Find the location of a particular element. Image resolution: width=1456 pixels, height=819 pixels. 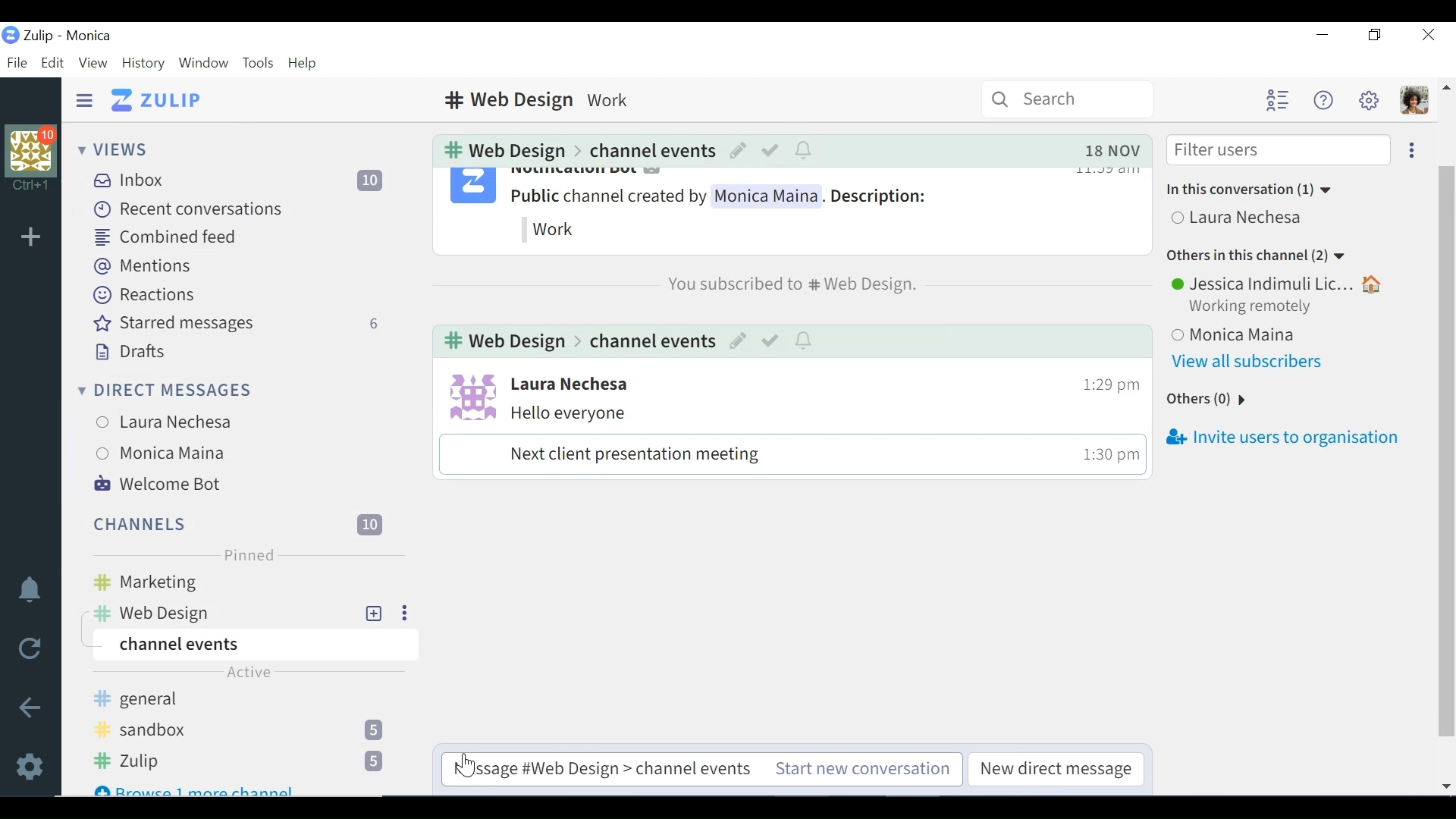

New direct message is located at coordinates (1059, 770).